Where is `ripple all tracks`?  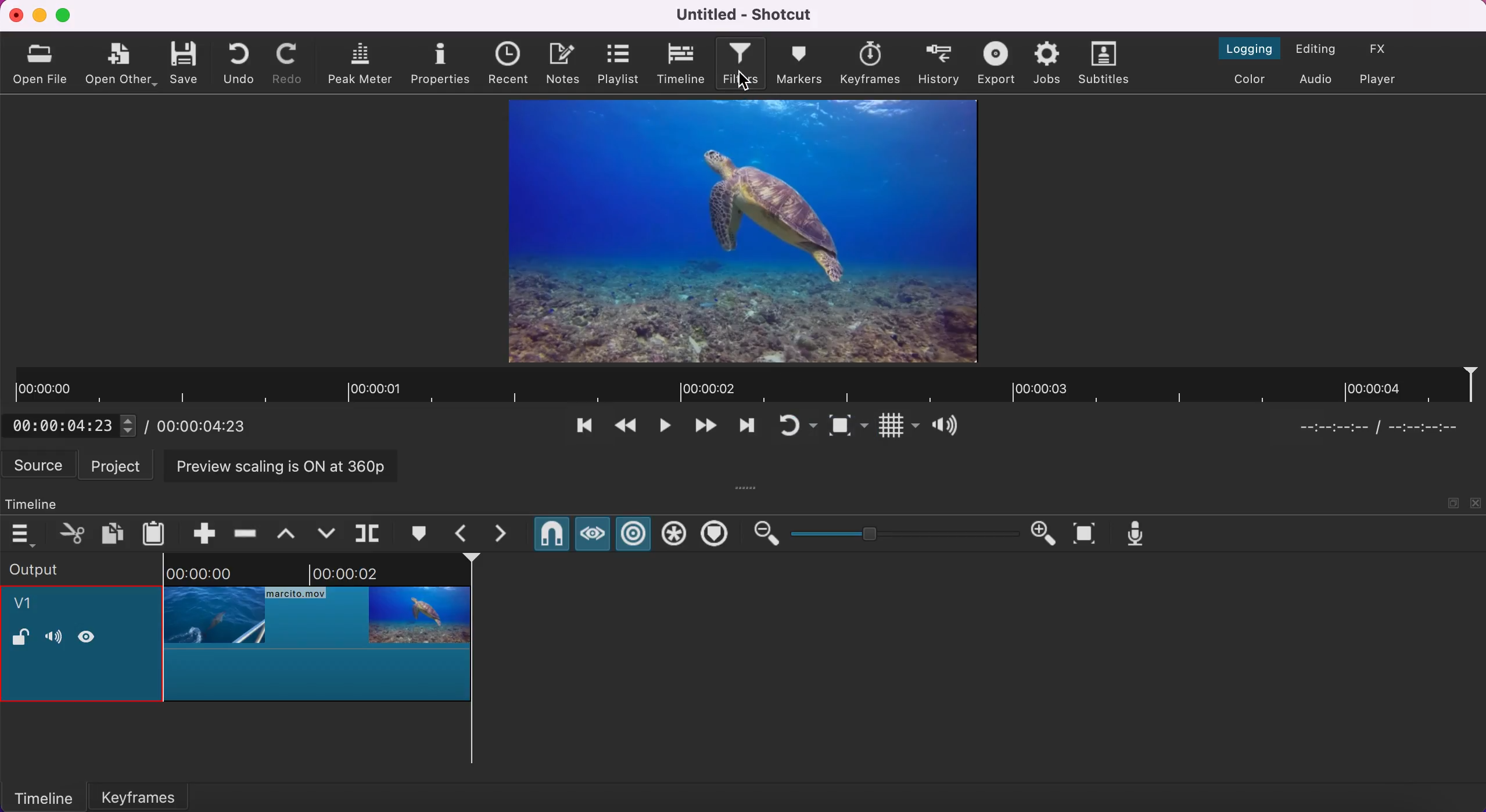 ripple all tracks is located at coordinates (674, 536).